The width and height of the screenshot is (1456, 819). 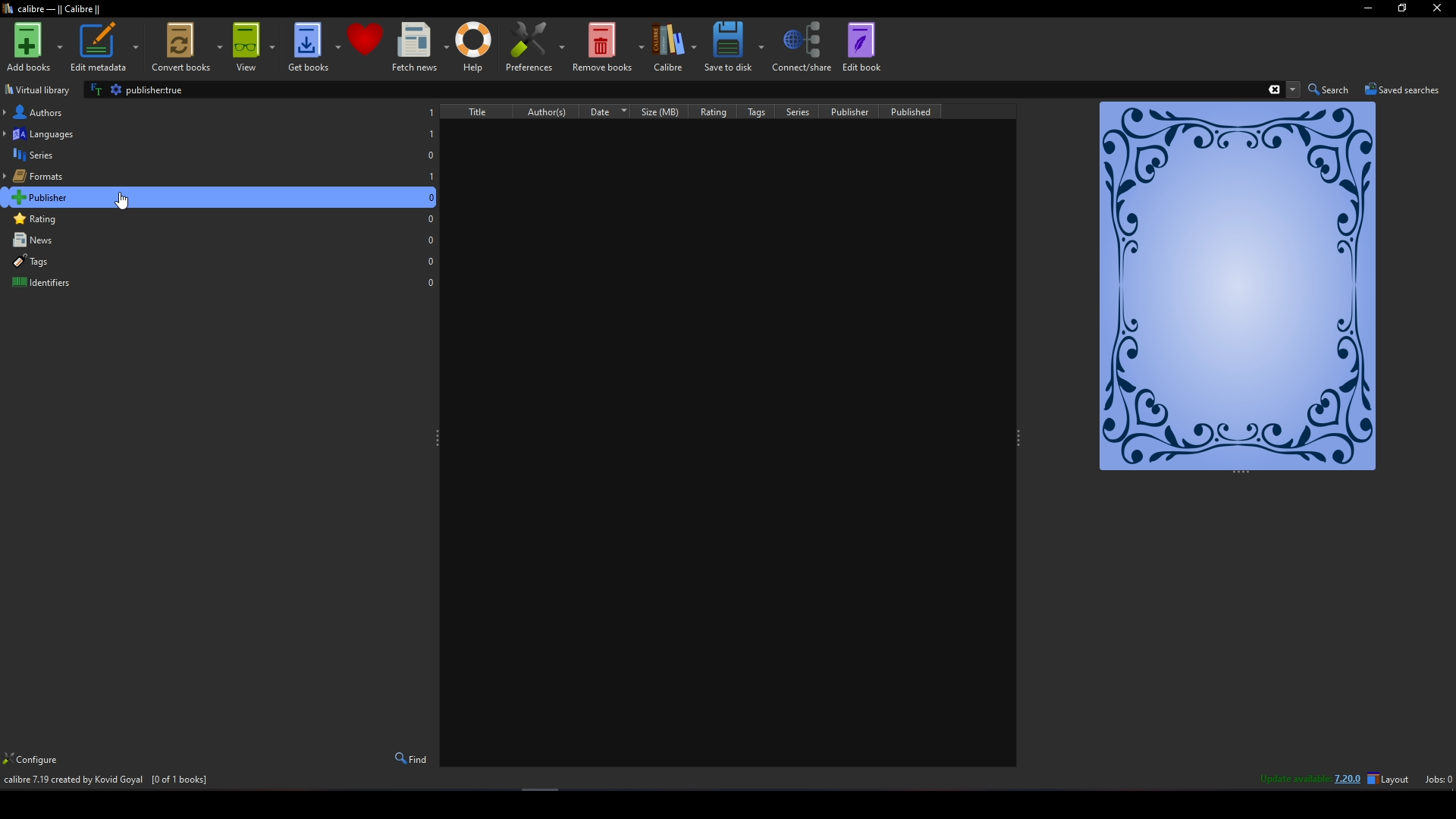 What do you see at coordinates (52, 9) in the screenshot?
I see `Program window headline` at bounding box center [52, 9].